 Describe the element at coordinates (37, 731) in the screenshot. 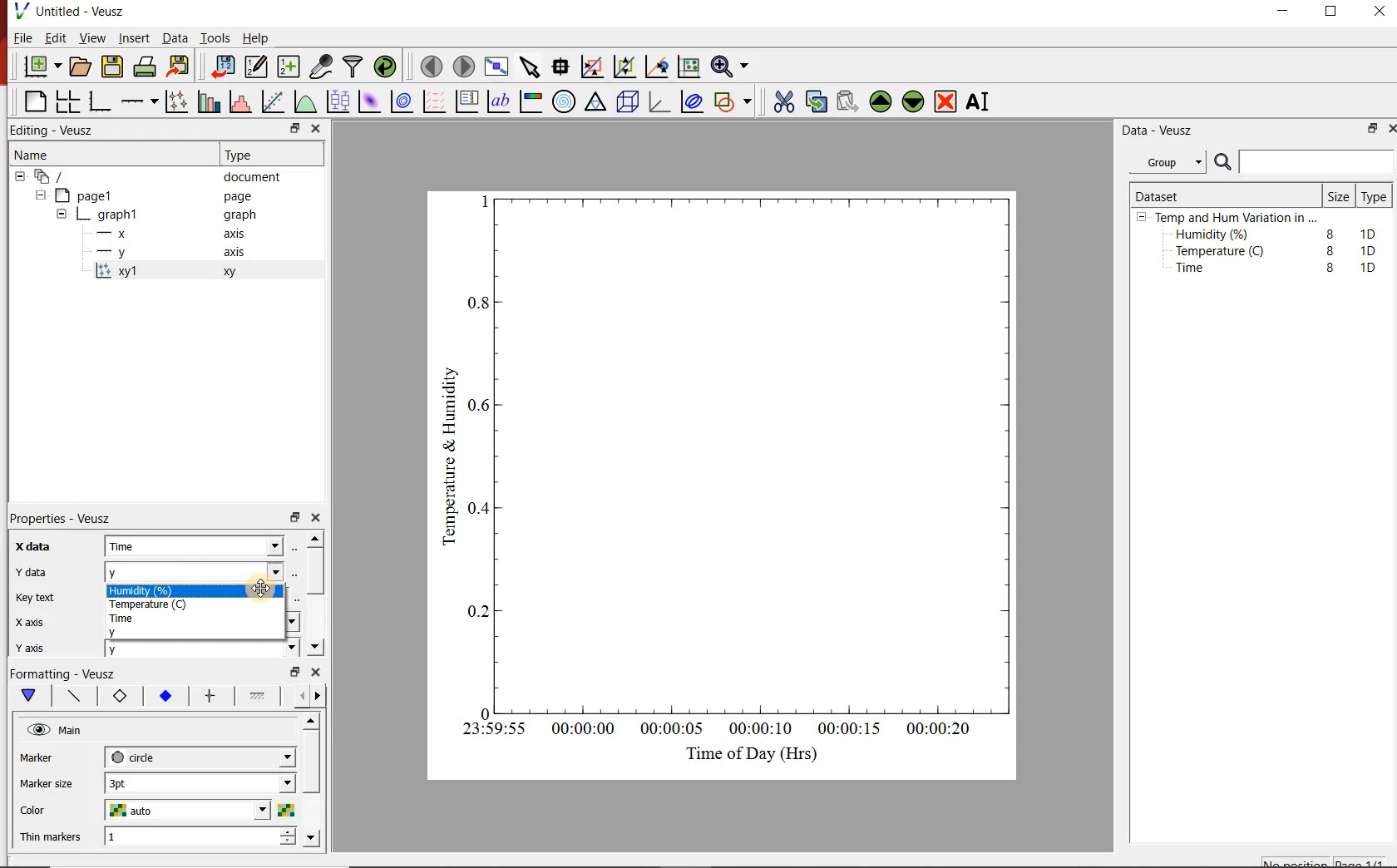

I see `visible (click to hide, set Hide to true)` at that location.